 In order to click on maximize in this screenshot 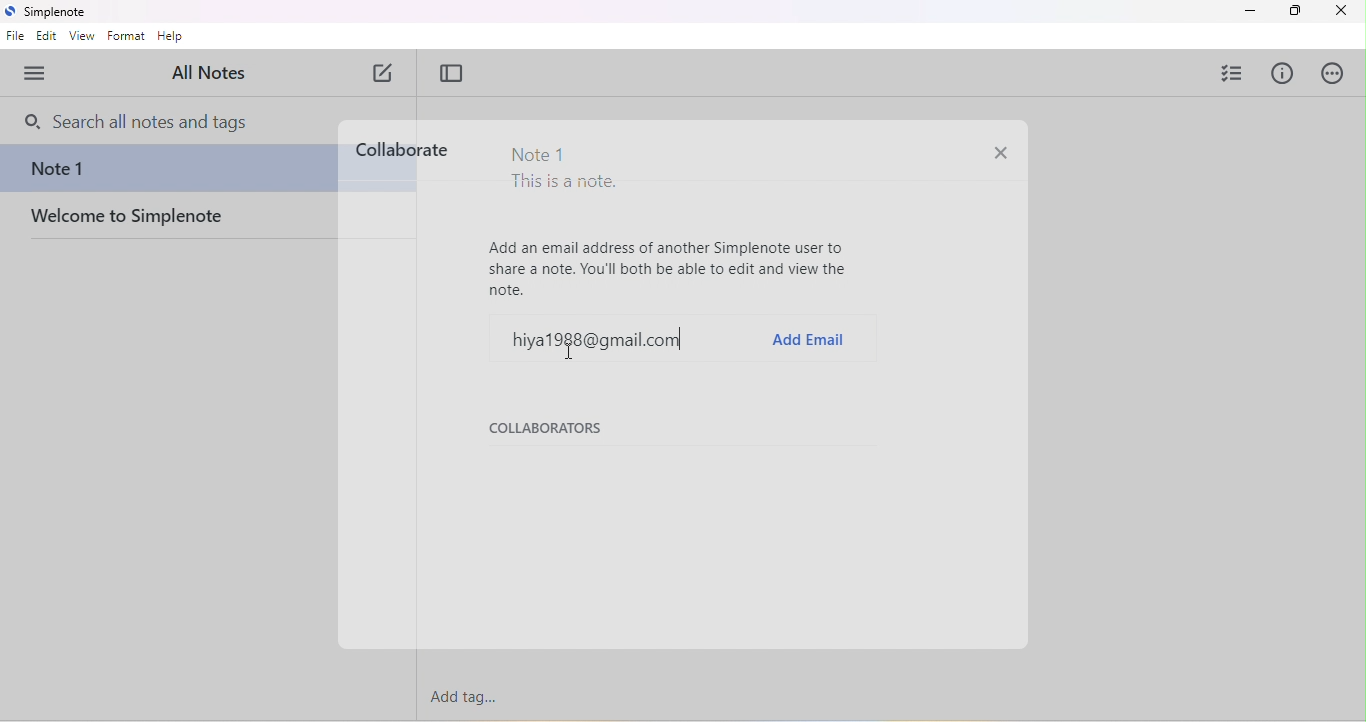, I will do `click(1293, 11)`.